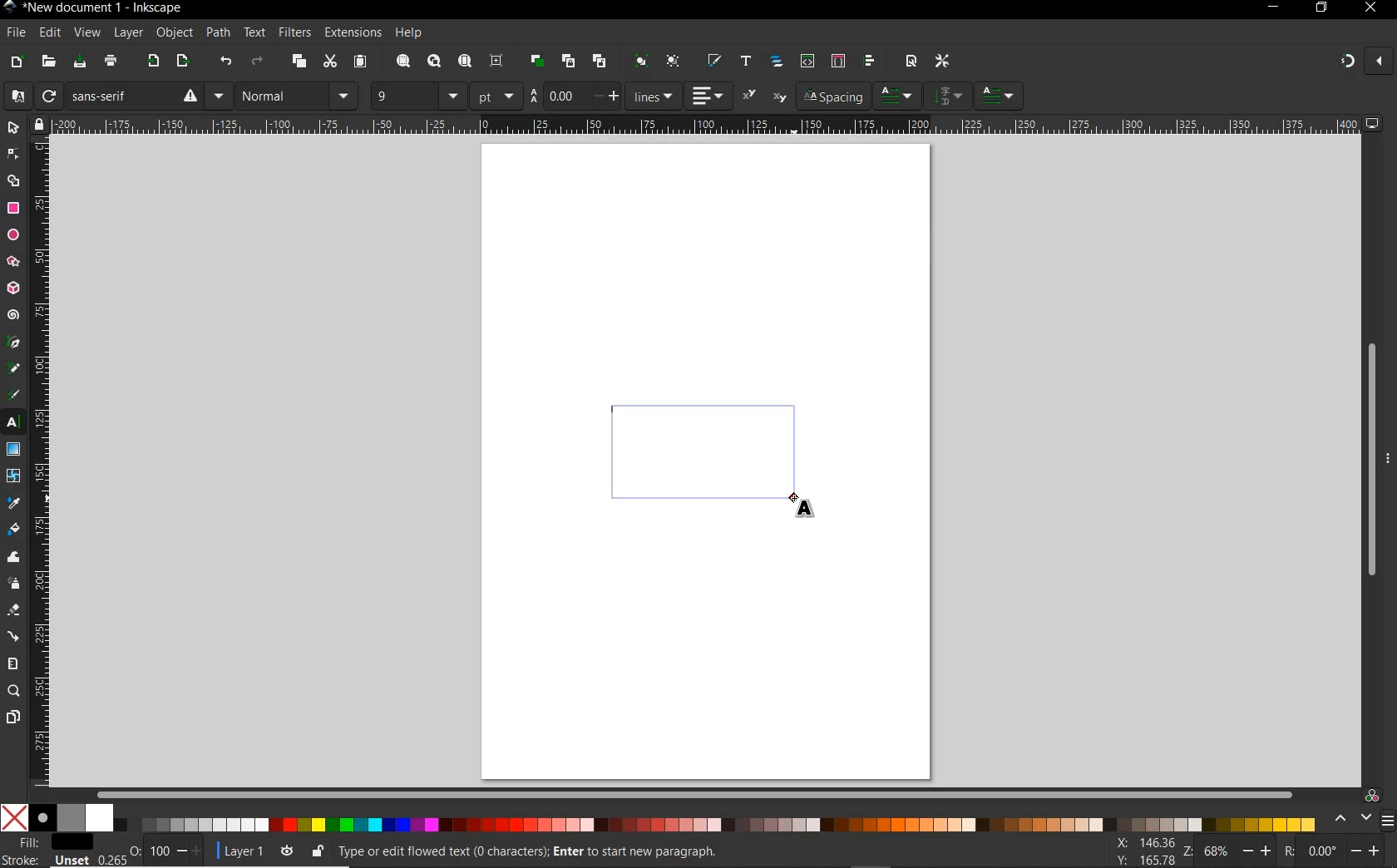  I want to click on scrollbar, so click(696, 794).